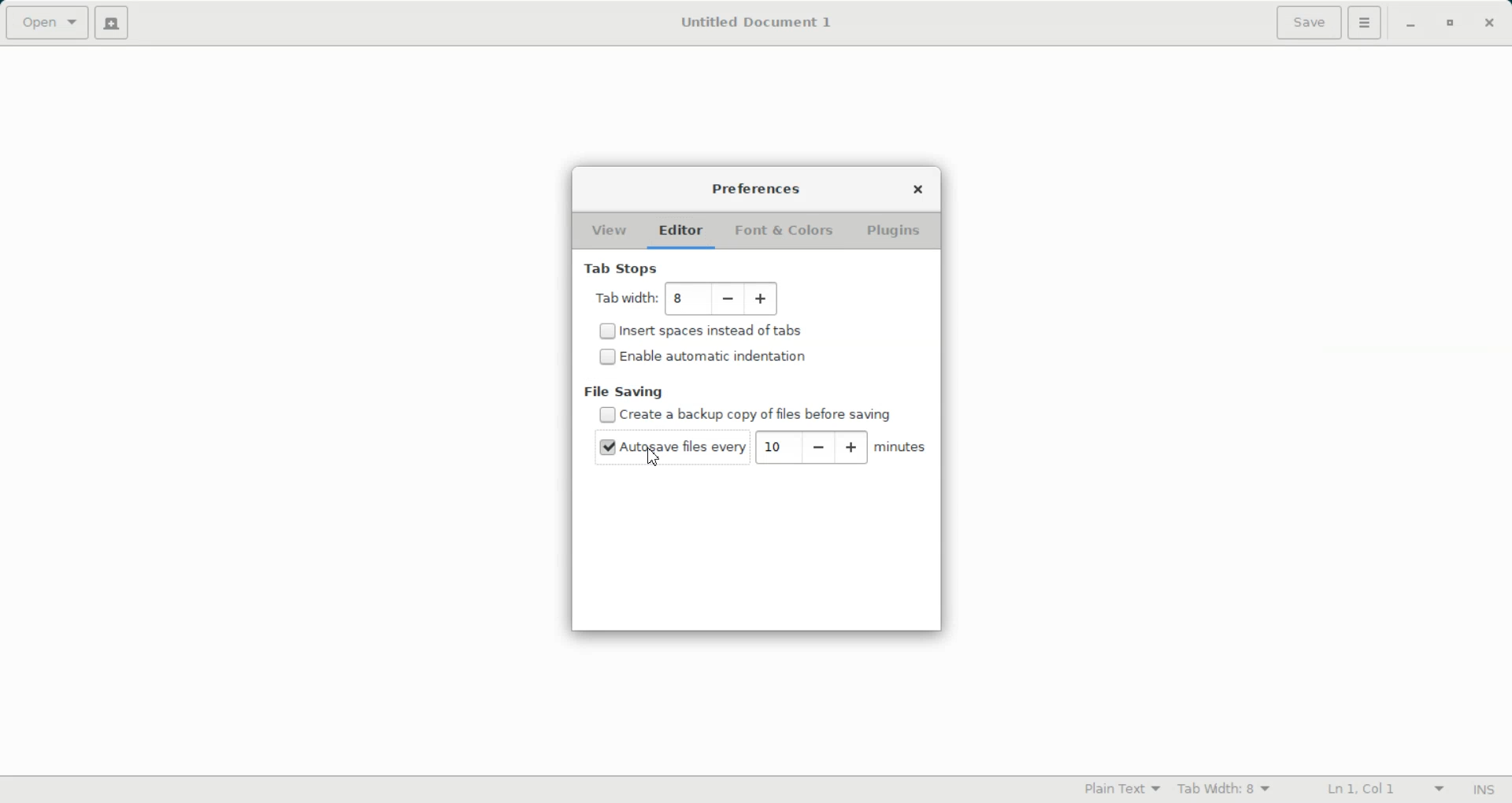 The width and height of the screenshot is (1512, 803). What do you see at coordinates (1365, 23) in the screenshot?
I see `Hamburger setting` at bounding box center [1365, 23].